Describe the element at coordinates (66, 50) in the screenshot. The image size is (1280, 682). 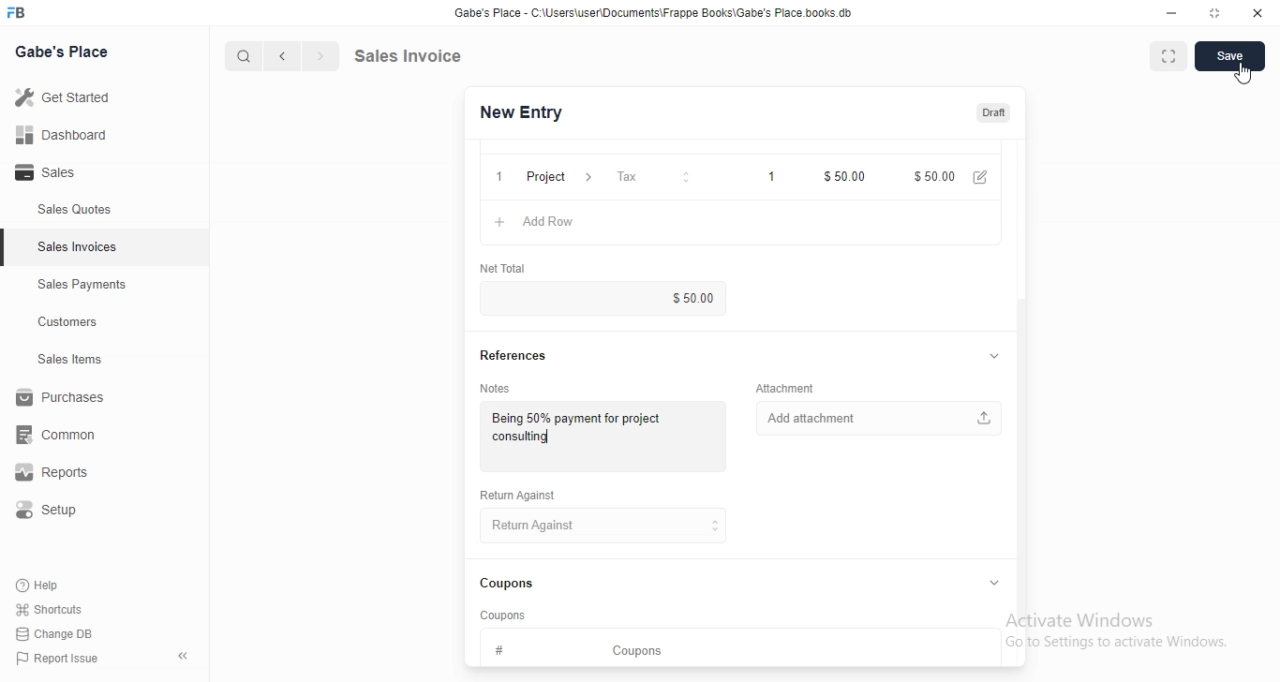
I see `Gabe's Place` at that location.